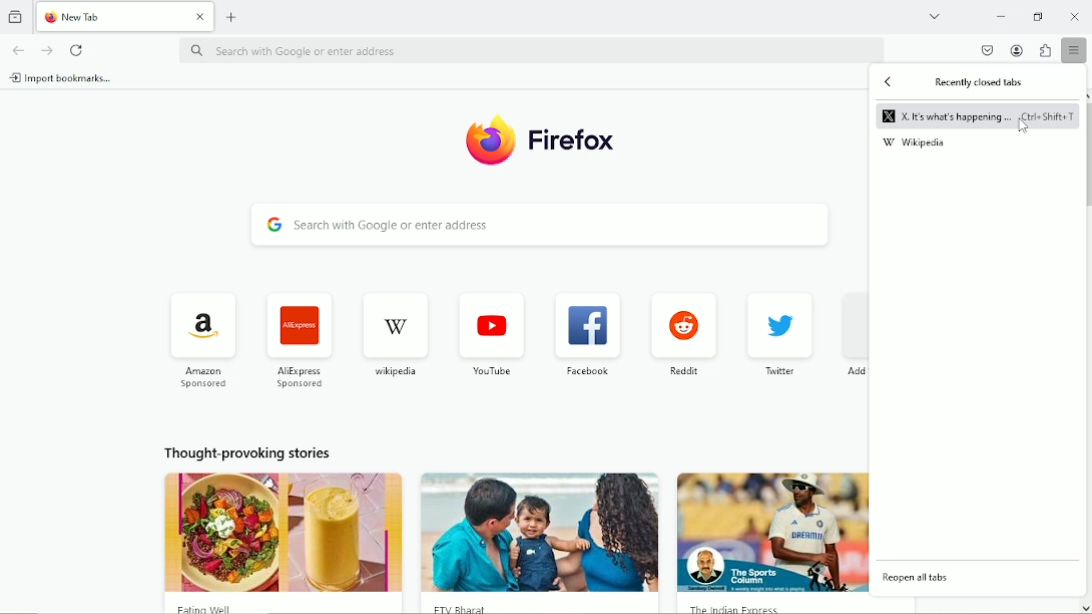 The height and width of the screenshot is (614, 1092). Describe the element at coordinates (774, 532) in the screenshot. I see `image` at that location.